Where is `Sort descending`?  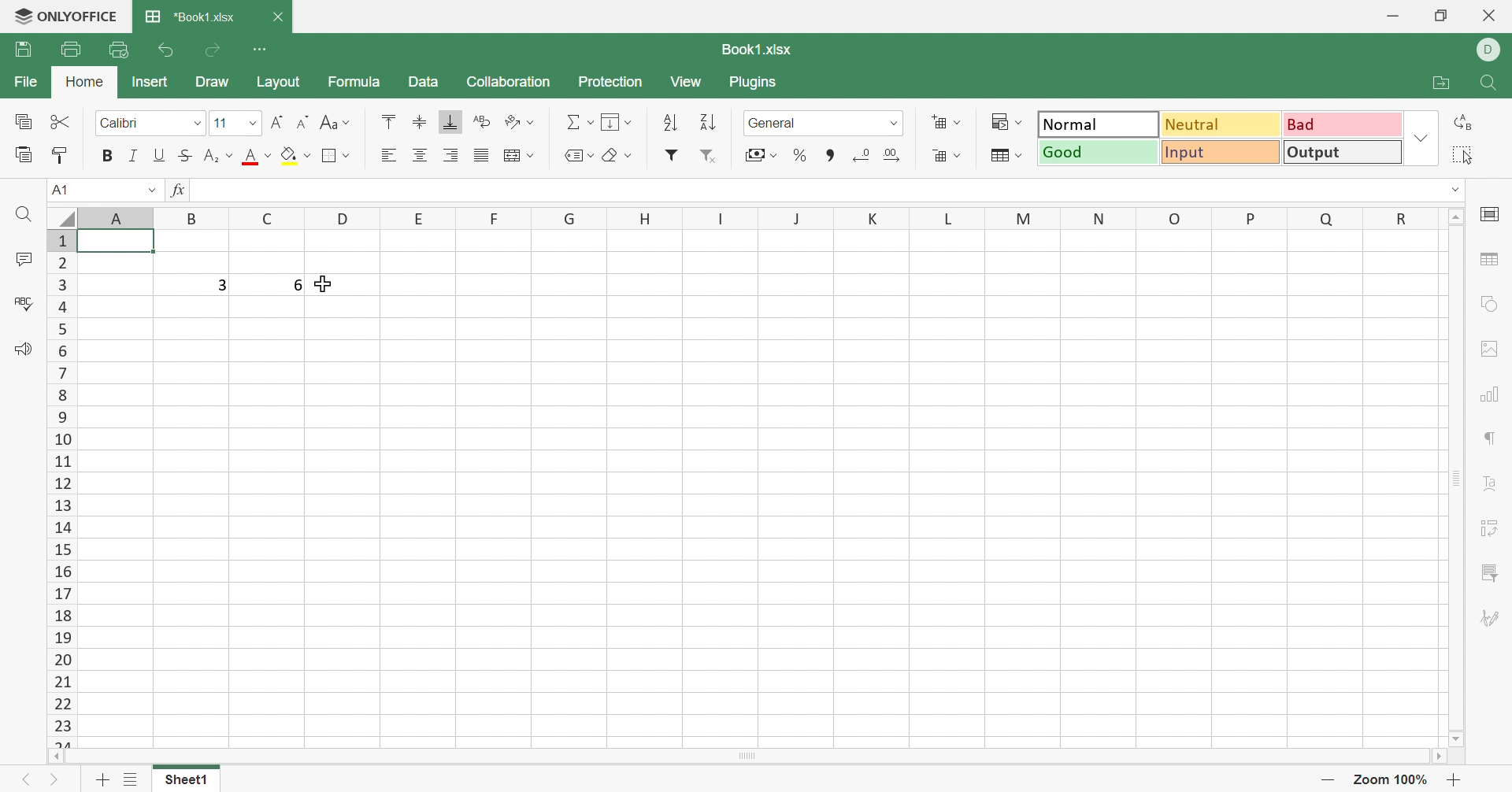 Sort descending is located at coordinates (710, 124).